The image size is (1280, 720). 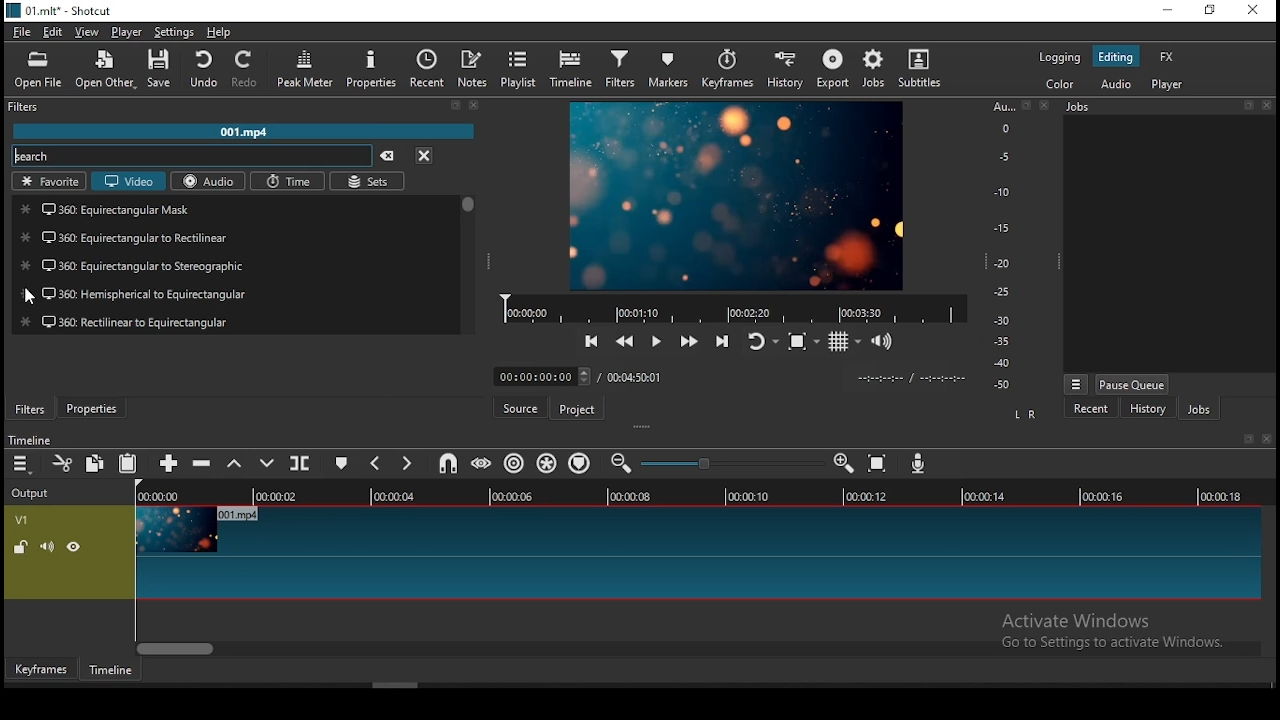 I want to click on Open Other, so click(x=103, y=70).